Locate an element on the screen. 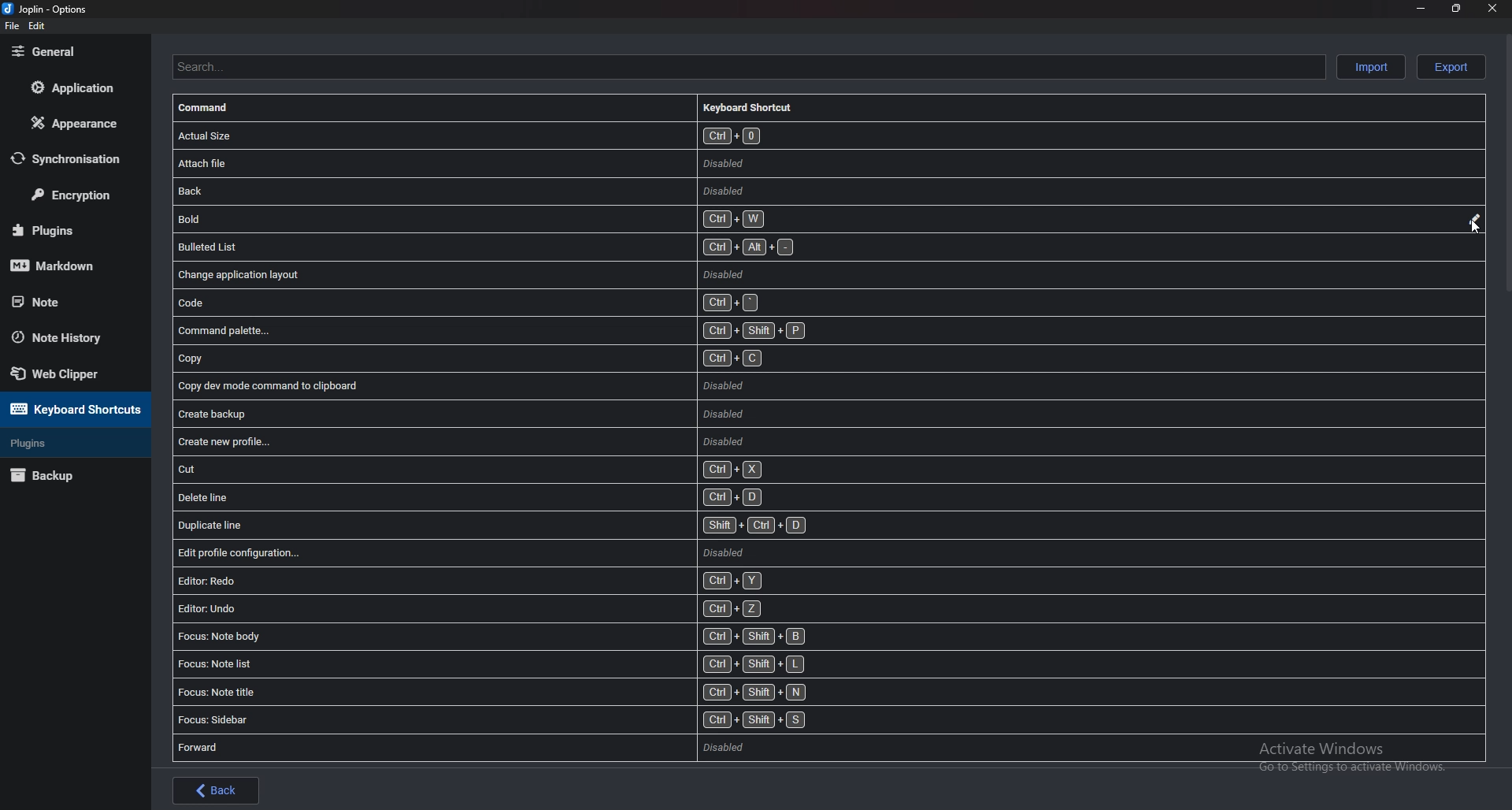 This screenshot has height=810, width=1512. Delete line is located at coordinates (473, 496).